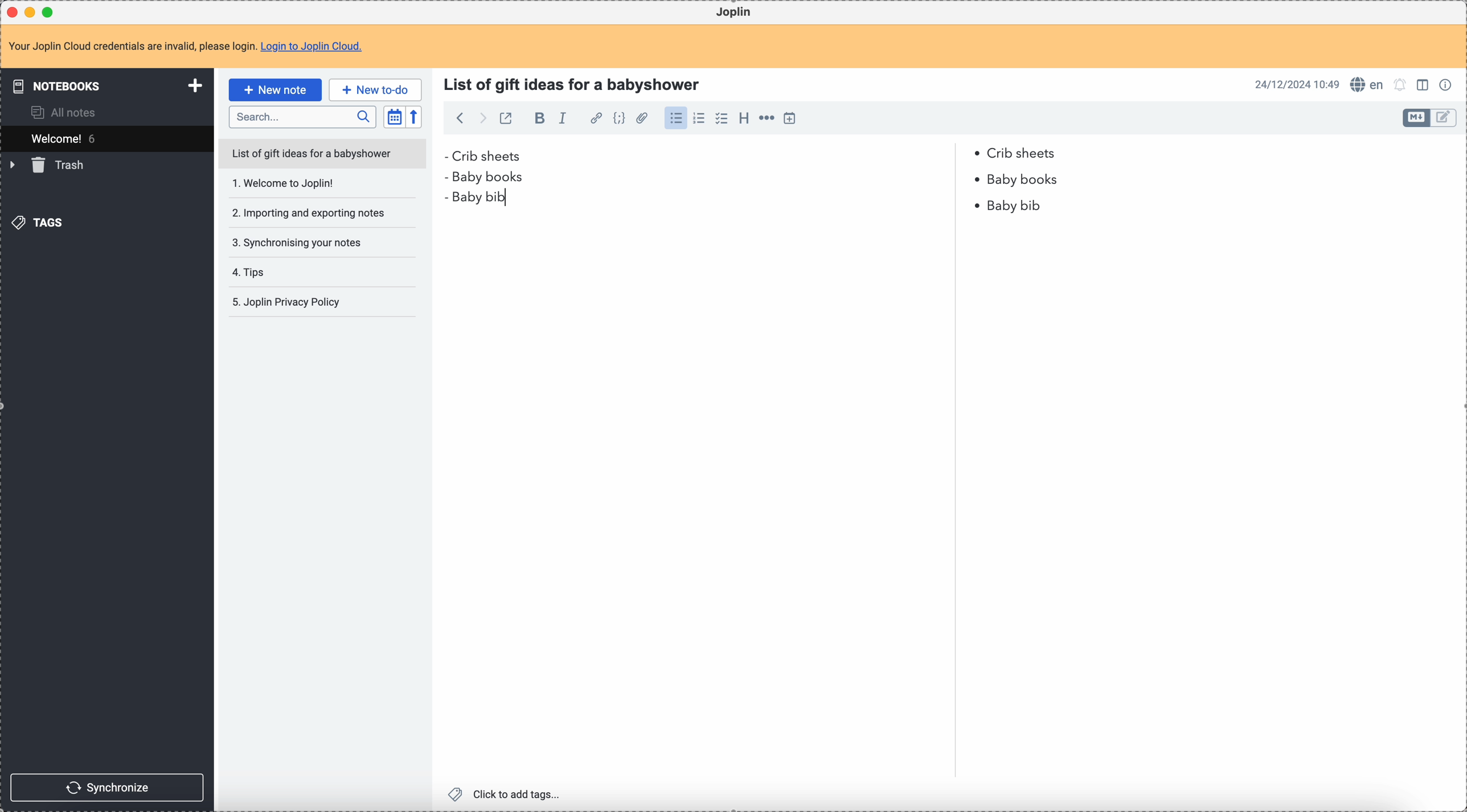 Image resolution: width=1467 pixels, height=812 pixels. I want to click on list of gift ideas for a babyshower, so click(324, 155).